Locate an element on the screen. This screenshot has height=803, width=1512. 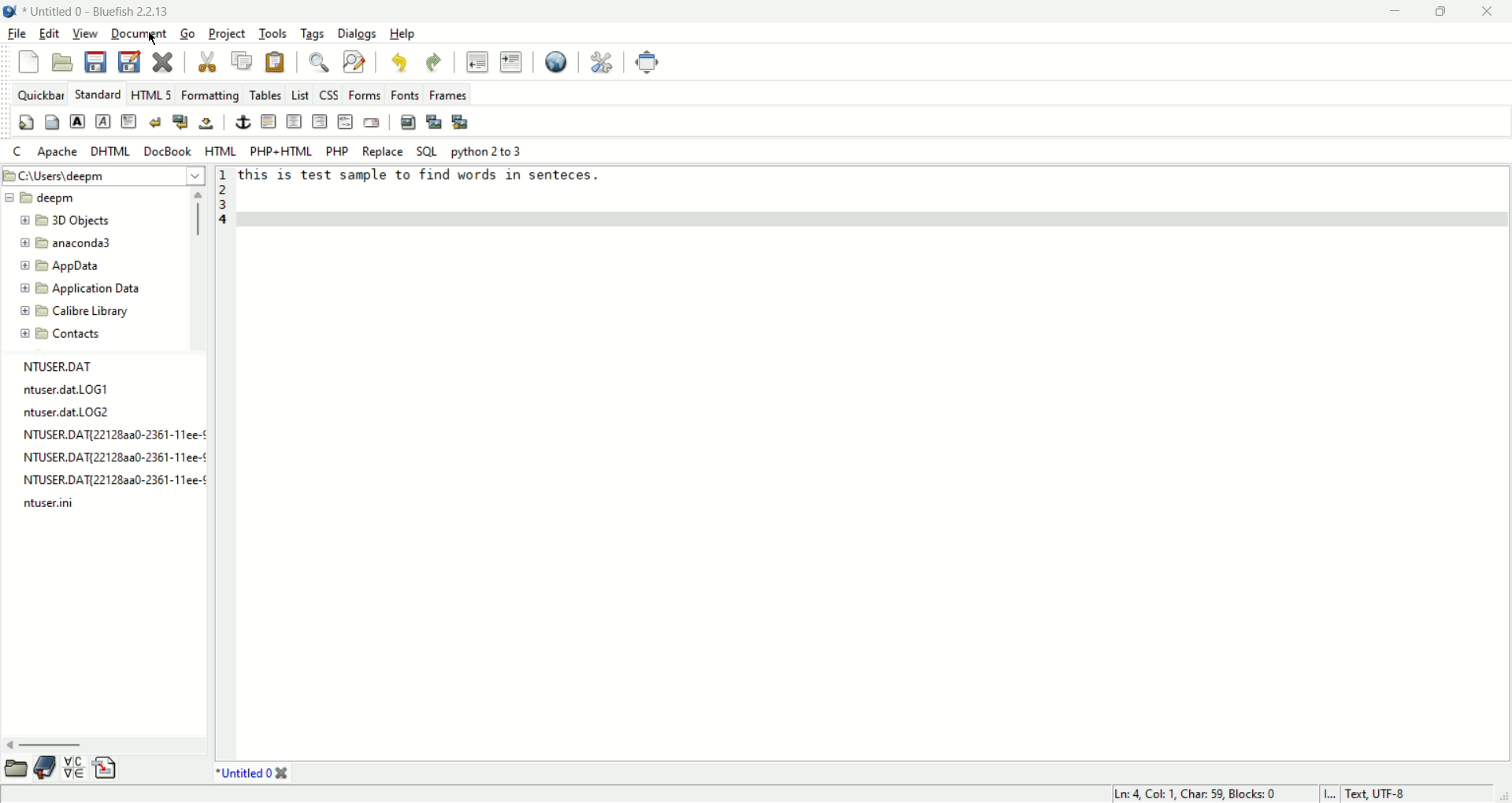
AppData is located at coordinates (93, 266).